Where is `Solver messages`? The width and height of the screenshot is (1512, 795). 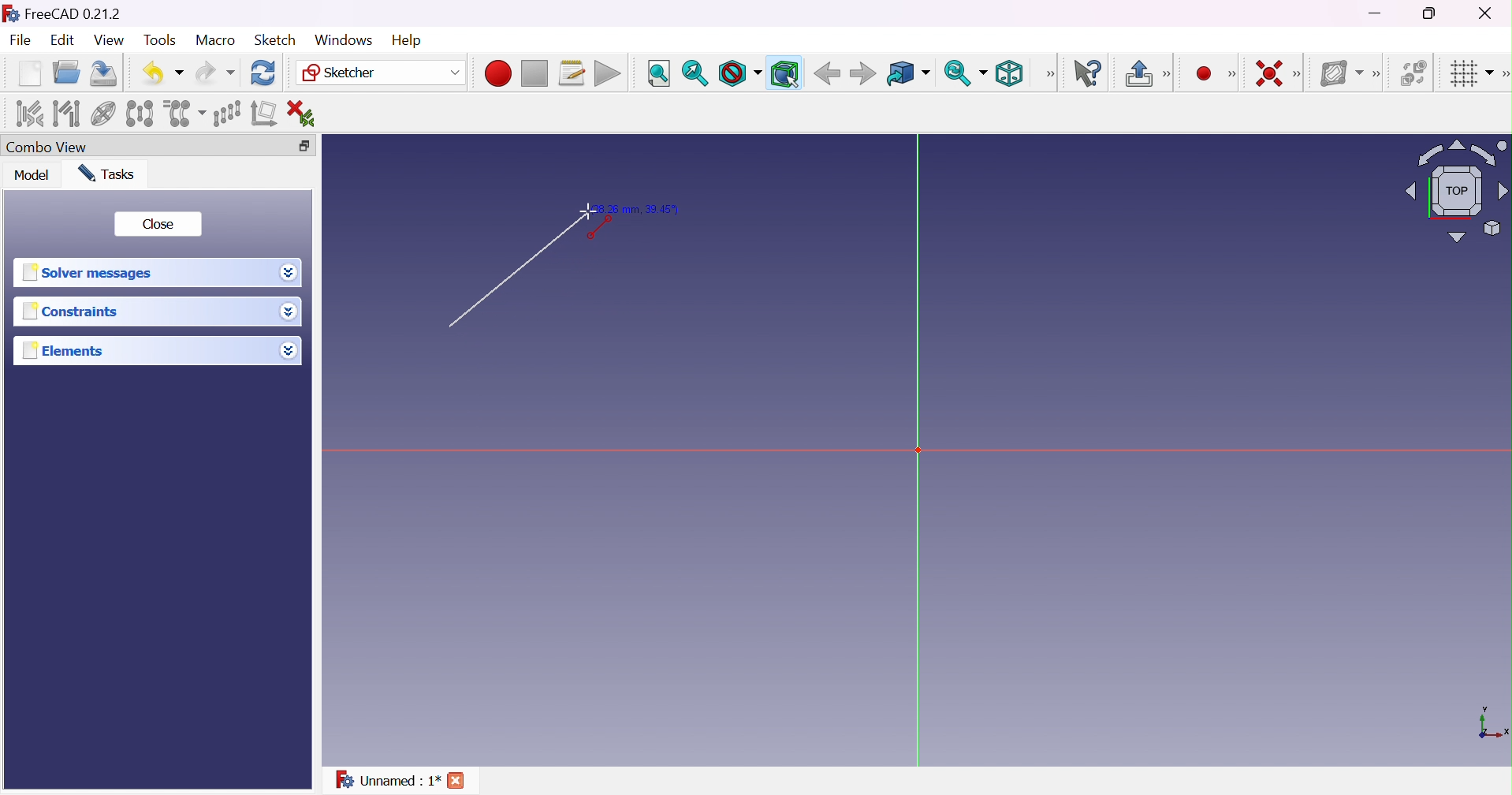 Solver messages is located at coordinates (92, 272).